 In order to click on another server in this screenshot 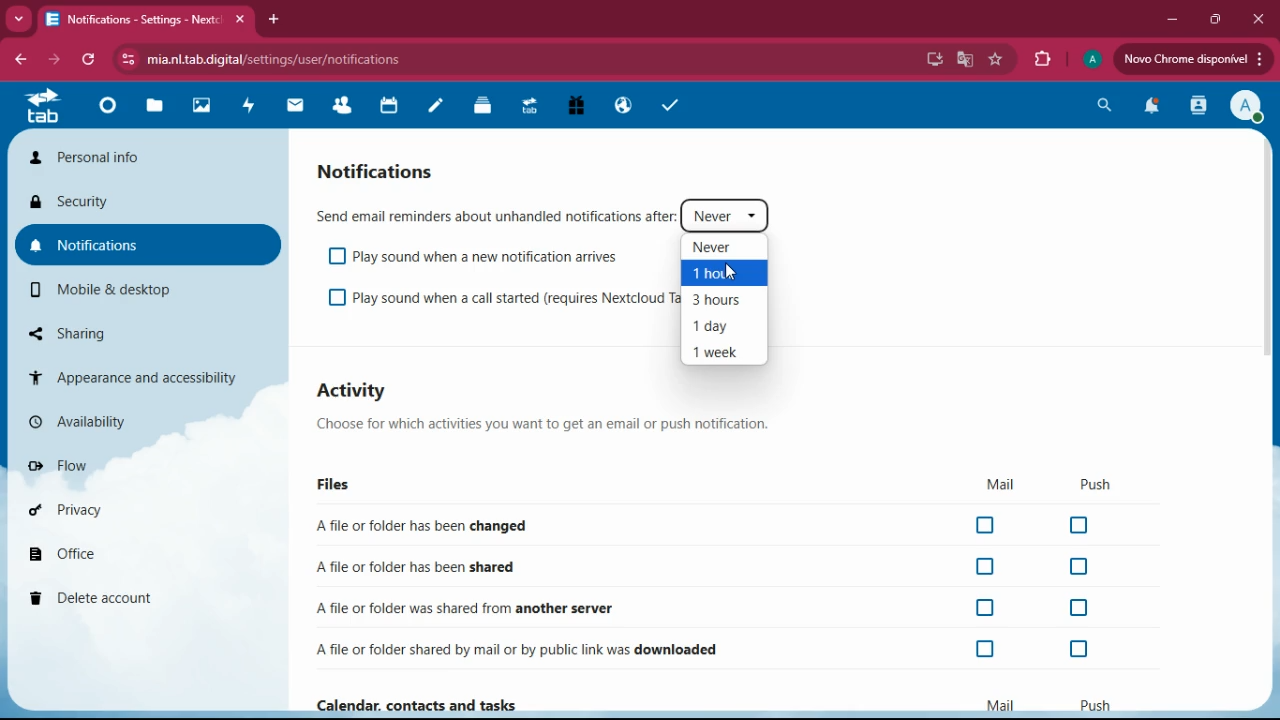, I will do `click(472, 607)`.